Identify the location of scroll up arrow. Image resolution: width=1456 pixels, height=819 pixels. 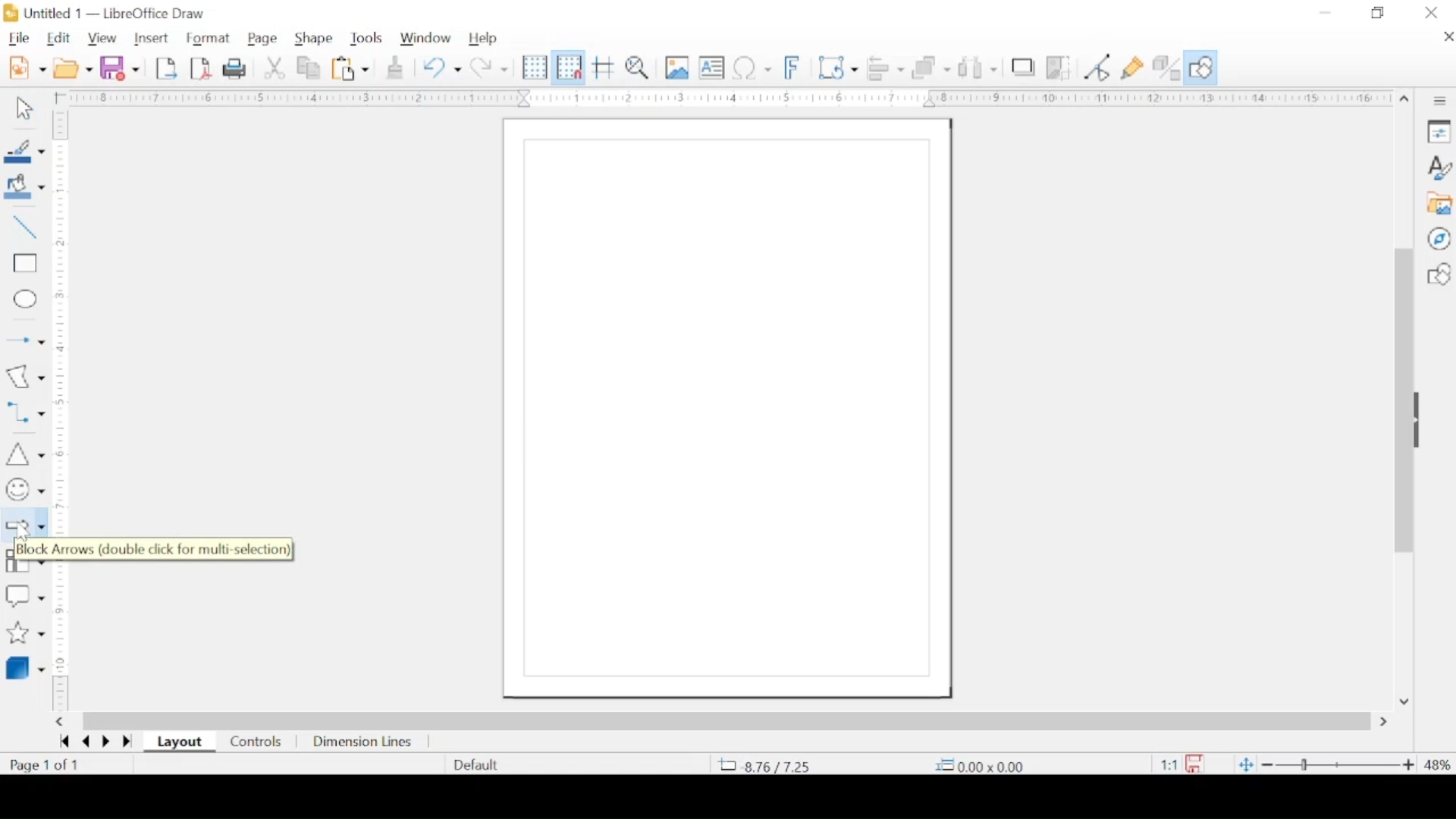
(1405, 100).